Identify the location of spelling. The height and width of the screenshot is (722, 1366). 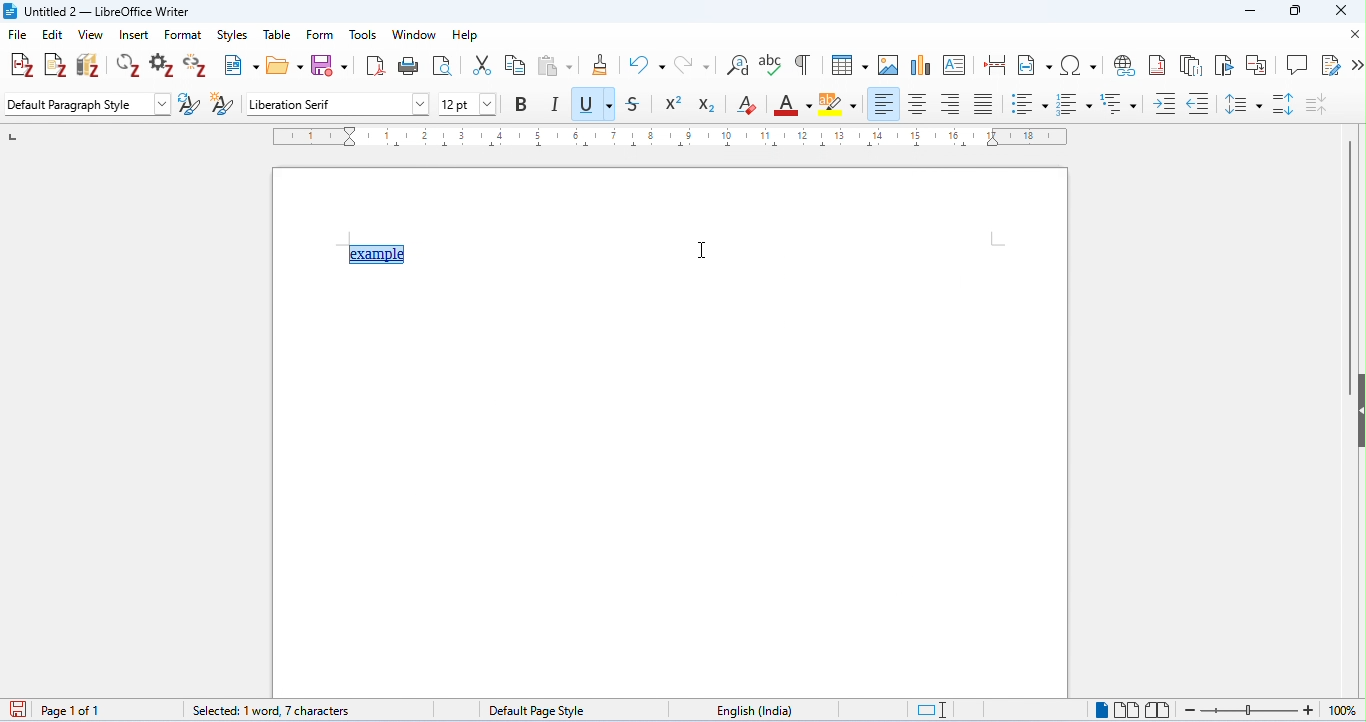
(772, 65).